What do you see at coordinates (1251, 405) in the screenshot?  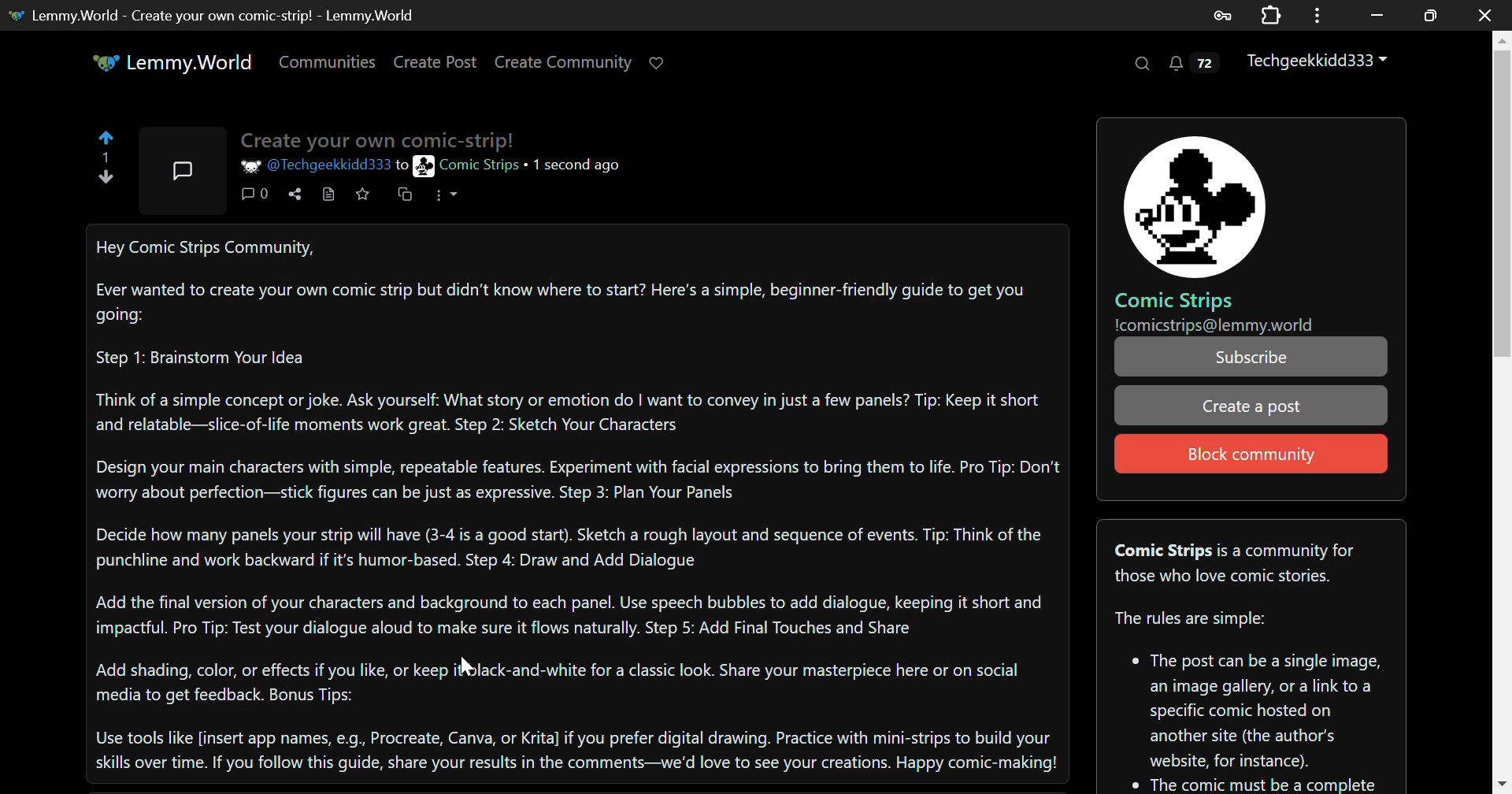 I see `Create post` at bounding box center [1251, 405].